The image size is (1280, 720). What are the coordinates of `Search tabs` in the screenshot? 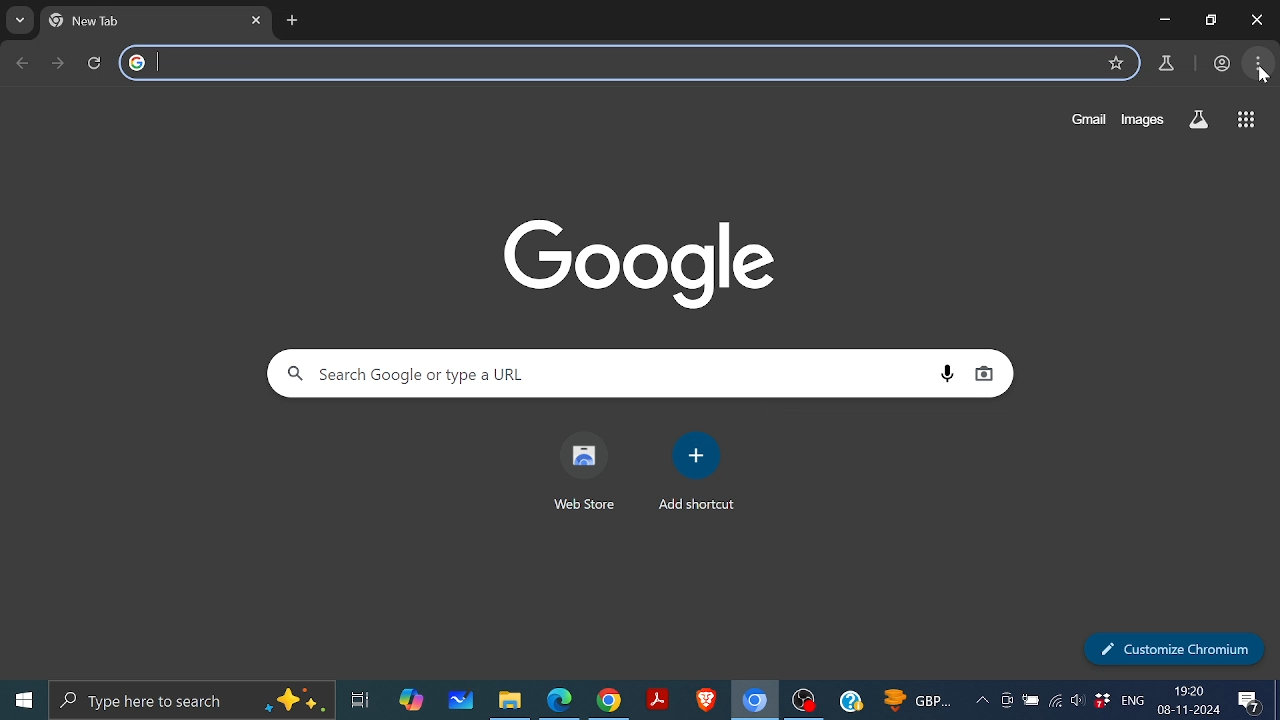 It's located at (20, 20).